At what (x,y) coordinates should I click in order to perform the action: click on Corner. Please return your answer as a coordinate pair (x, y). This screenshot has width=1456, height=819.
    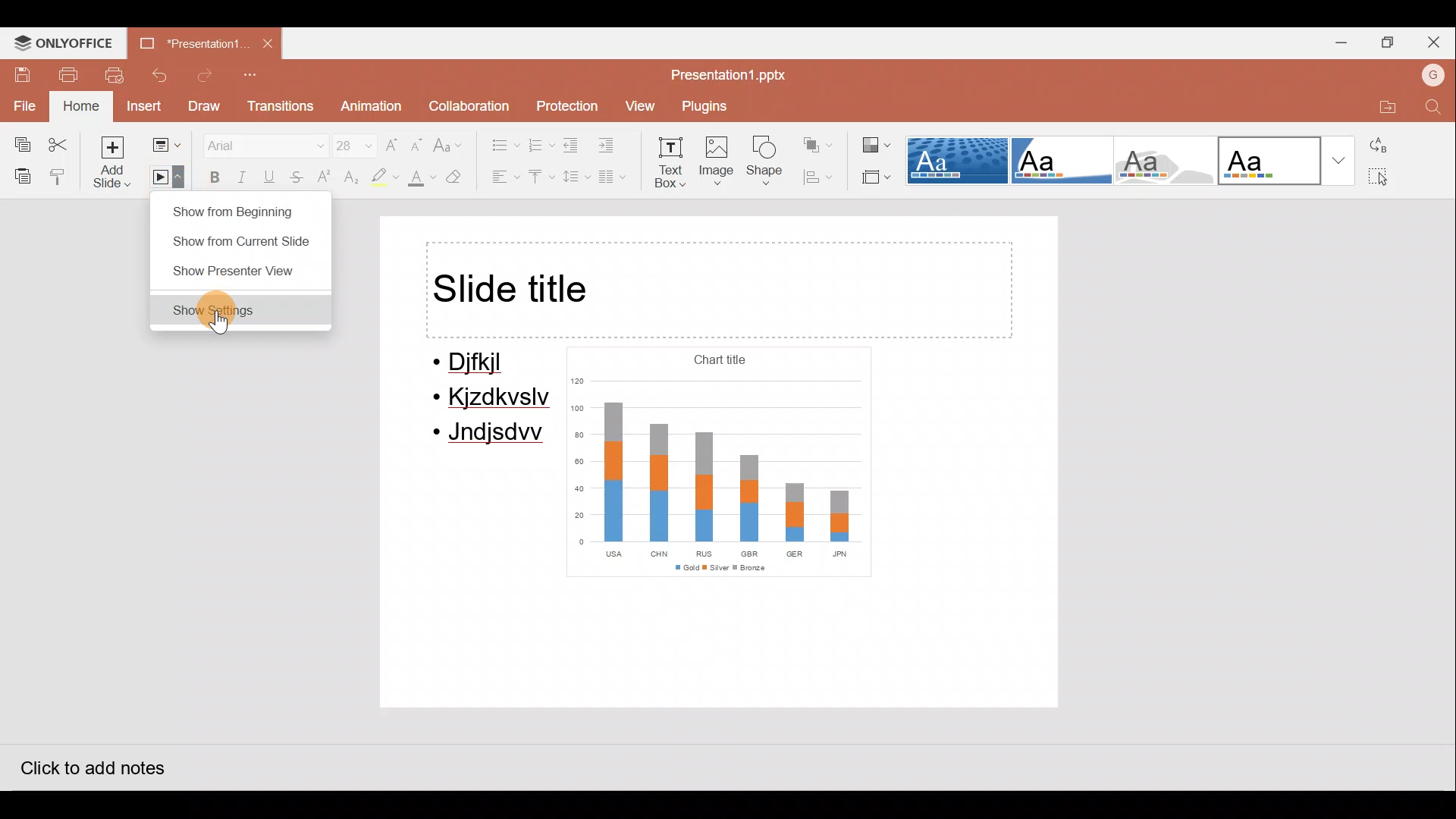
    Looking at the image, I should click on (1059, 159).